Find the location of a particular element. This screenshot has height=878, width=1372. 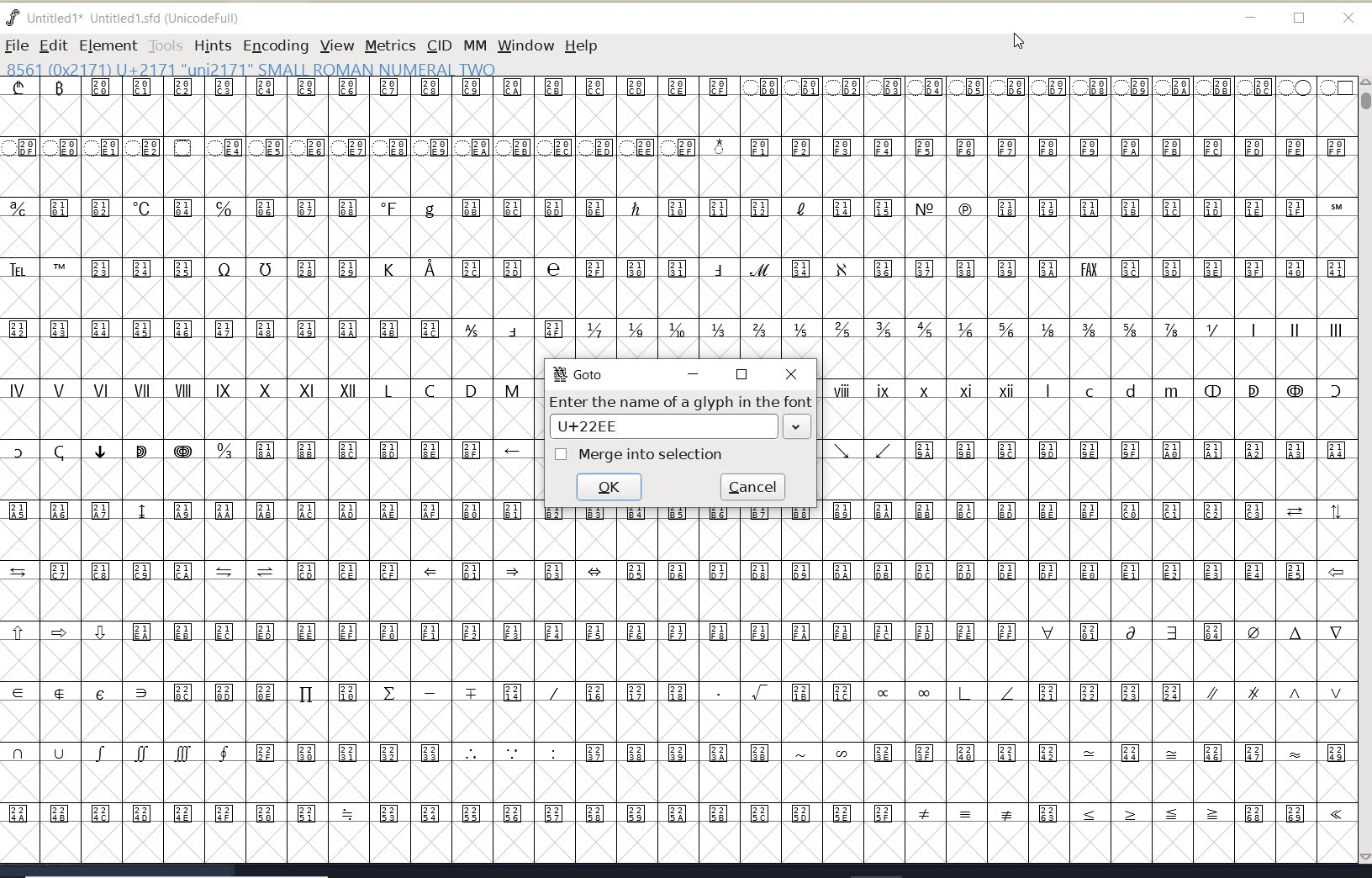

restore is located at coordinates (1300, 19).